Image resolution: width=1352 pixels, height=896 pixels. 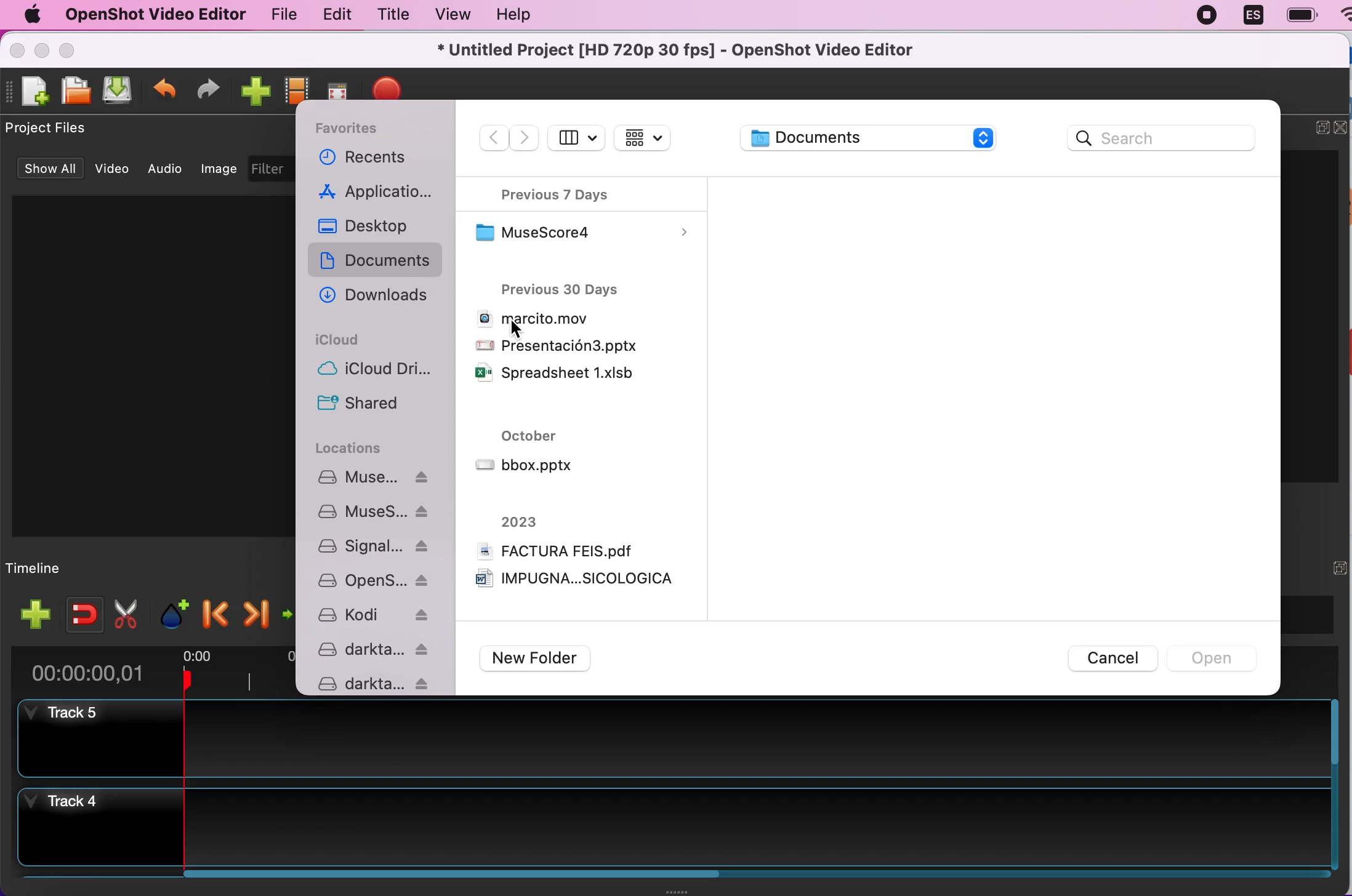 What do you see at coordinates (378, 390) in the screenshot?
I see `folders` at bounding box center [378, 390].